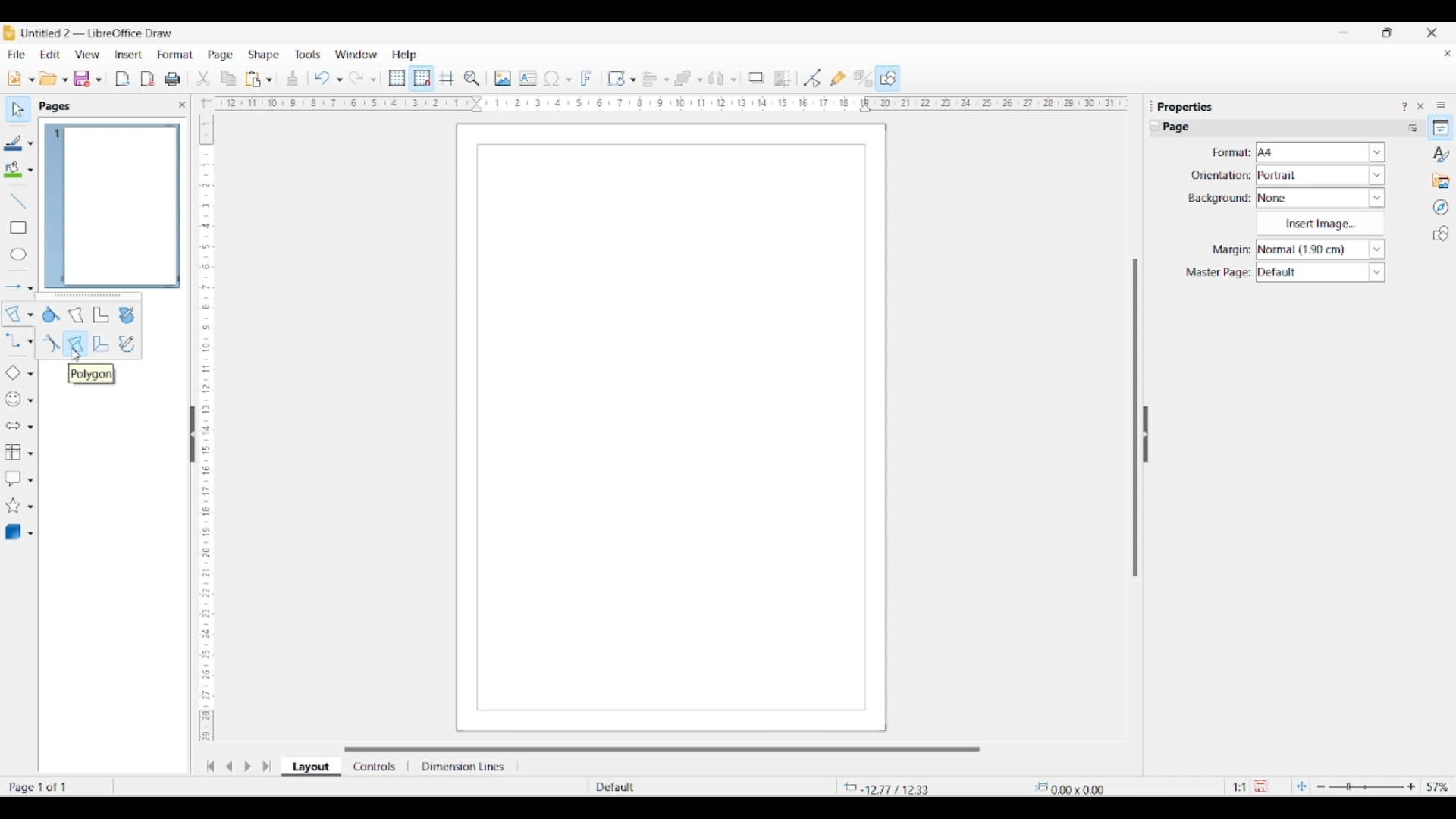  What do you see at coordinates (30, 144) in the screenshot?
I see `Line color options` at bounding box center [30, 144].